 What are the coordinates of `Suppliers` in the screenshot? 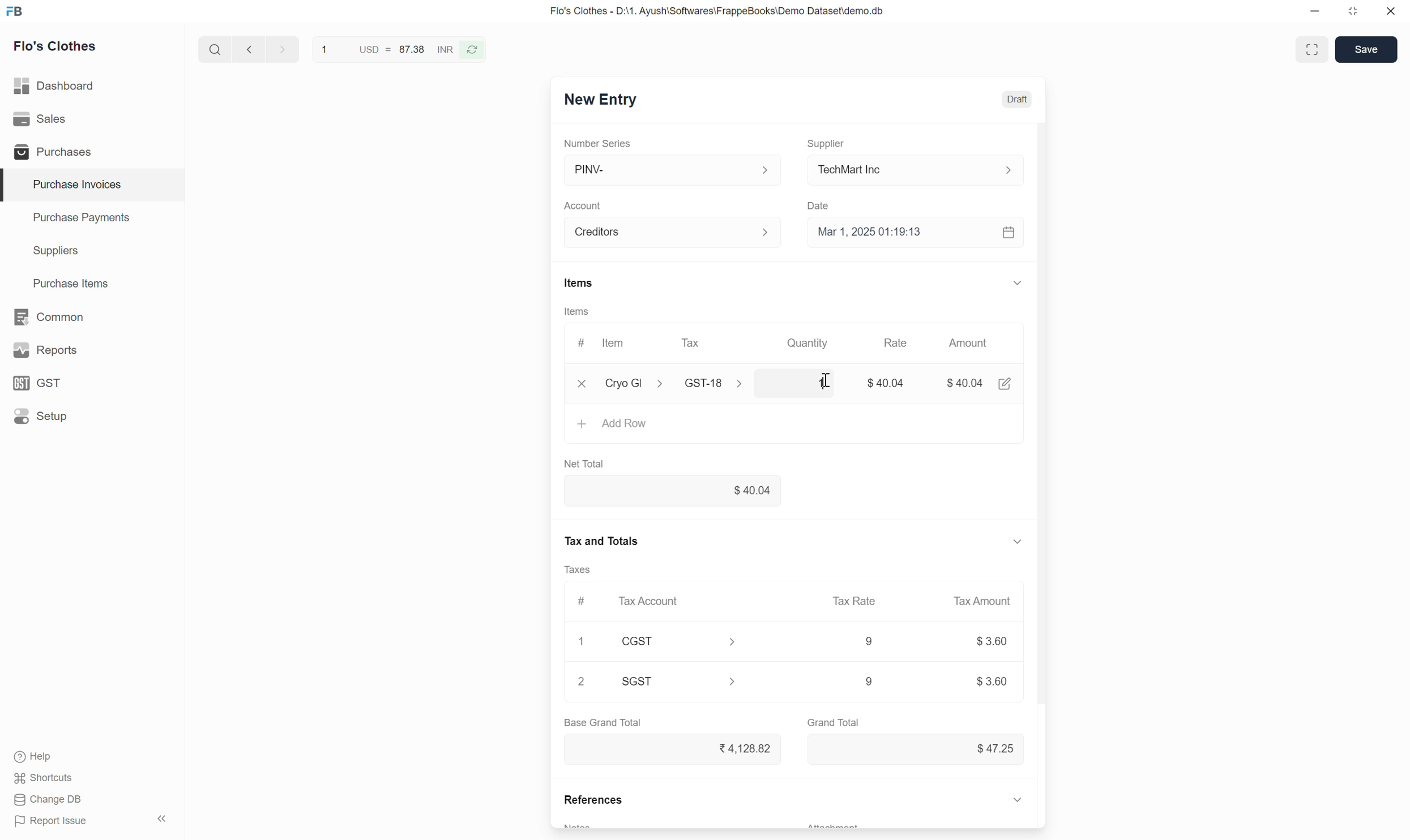 It's located at (48, 251).